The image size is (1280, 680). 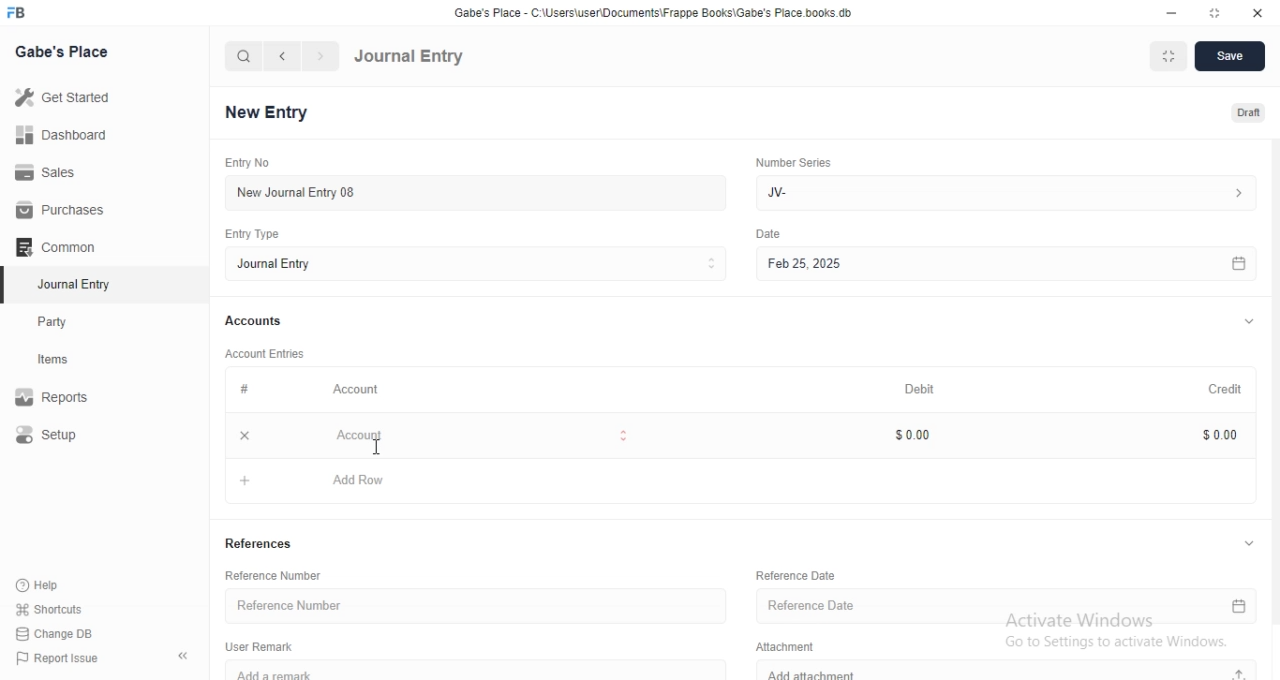 What do you see at coordinates (267, 354) in the screenshot?
I see `Account Entries` at bounding box center [267, 354].